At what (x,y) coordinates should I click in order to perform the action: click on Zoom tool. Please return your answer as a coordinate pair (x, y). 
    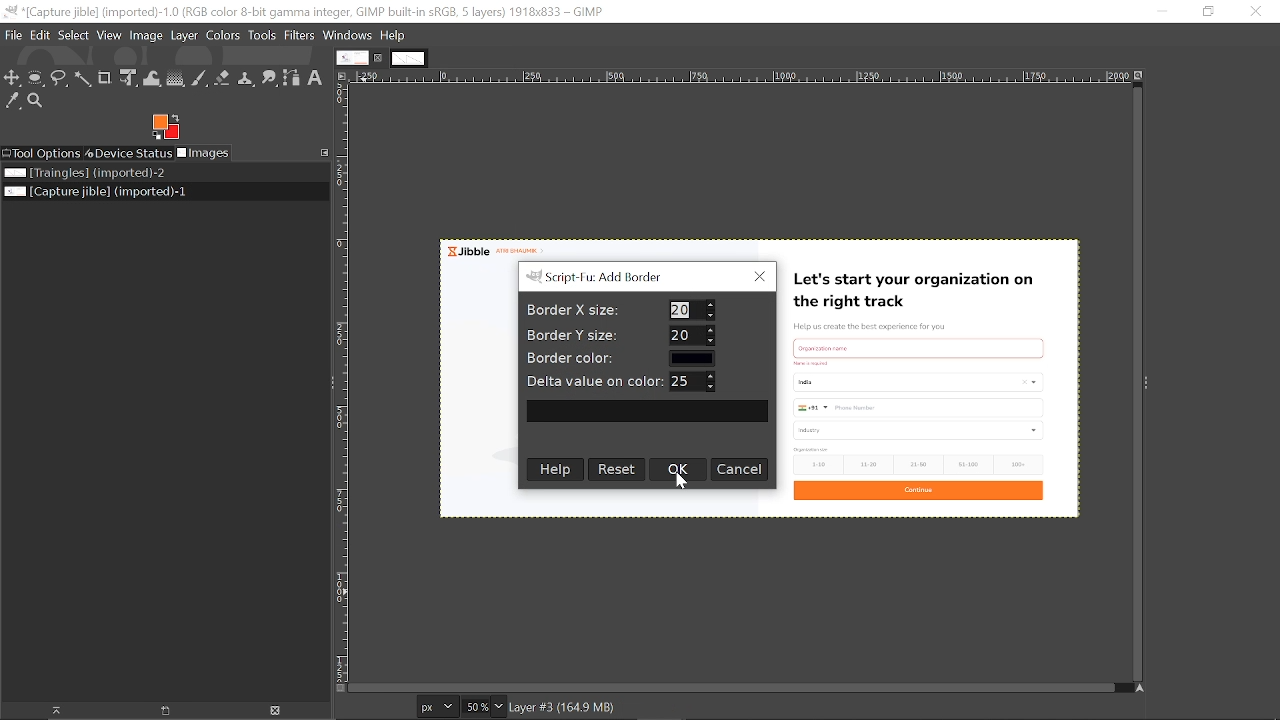
    Looking at the image, I should click on (37, 102).